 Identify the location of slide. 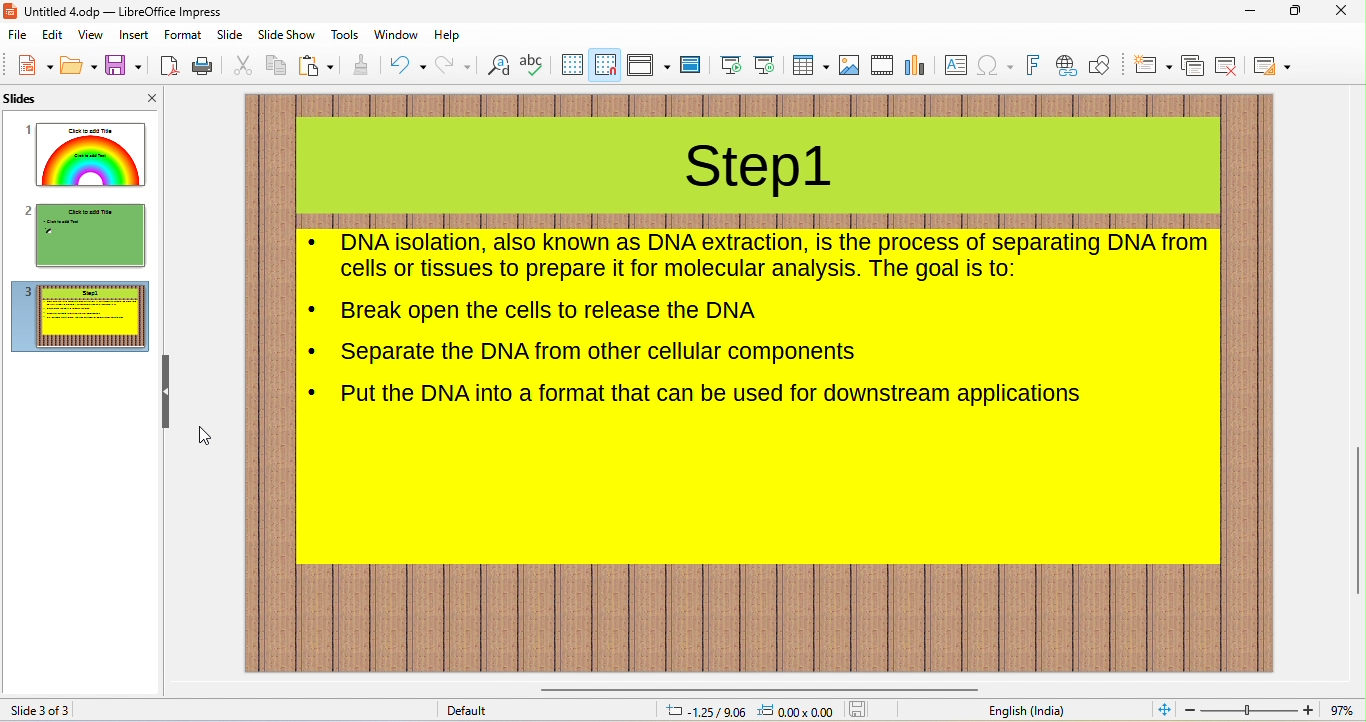
(229, 35).